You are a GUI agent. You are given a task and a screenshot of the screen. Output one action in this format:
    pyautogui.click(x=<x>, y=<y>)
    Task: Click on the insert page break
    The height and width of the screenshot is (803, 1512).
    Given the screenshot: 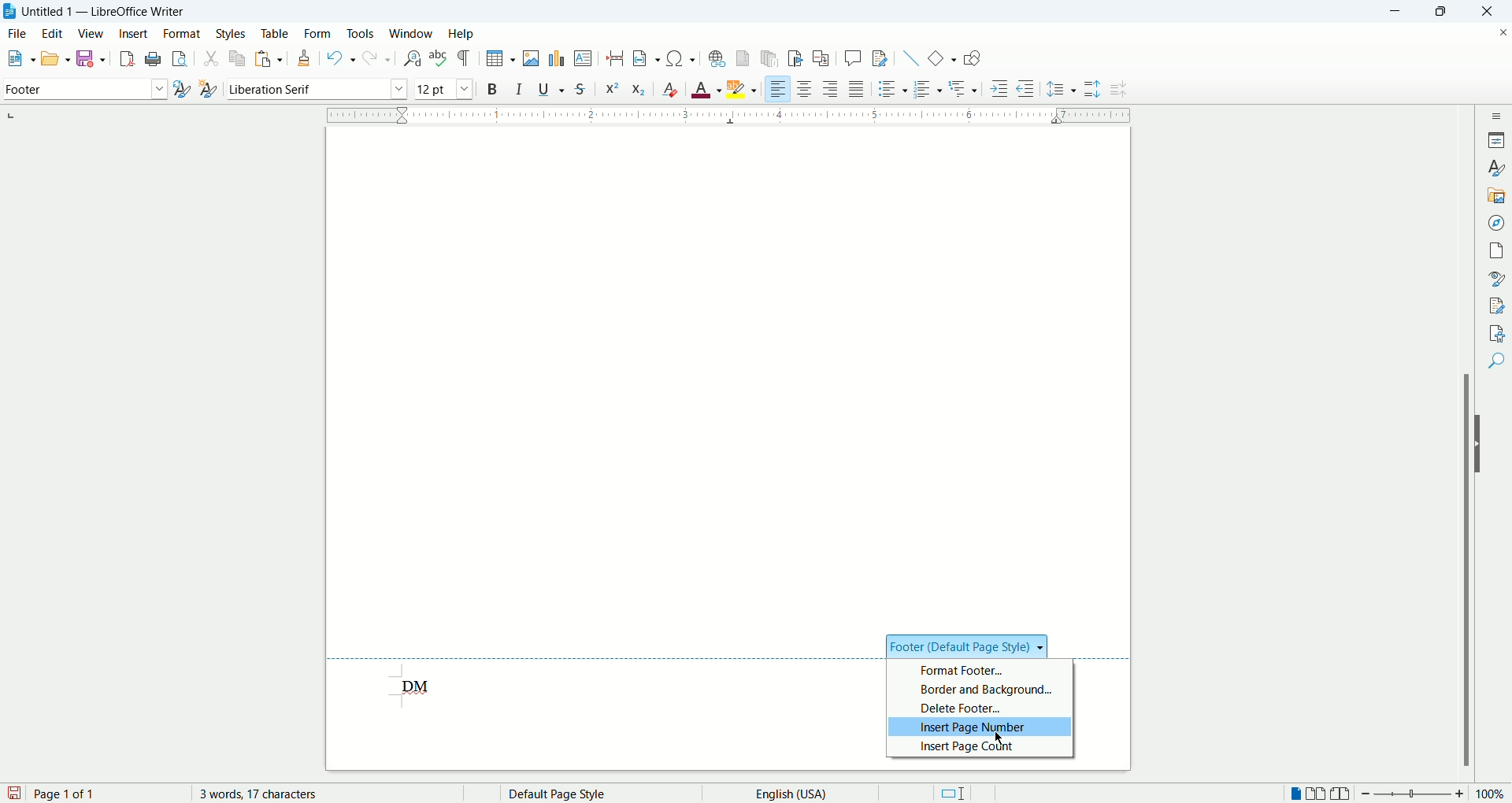 What is the action you would take?
    pyautogui.click(x=617, y=58)
    